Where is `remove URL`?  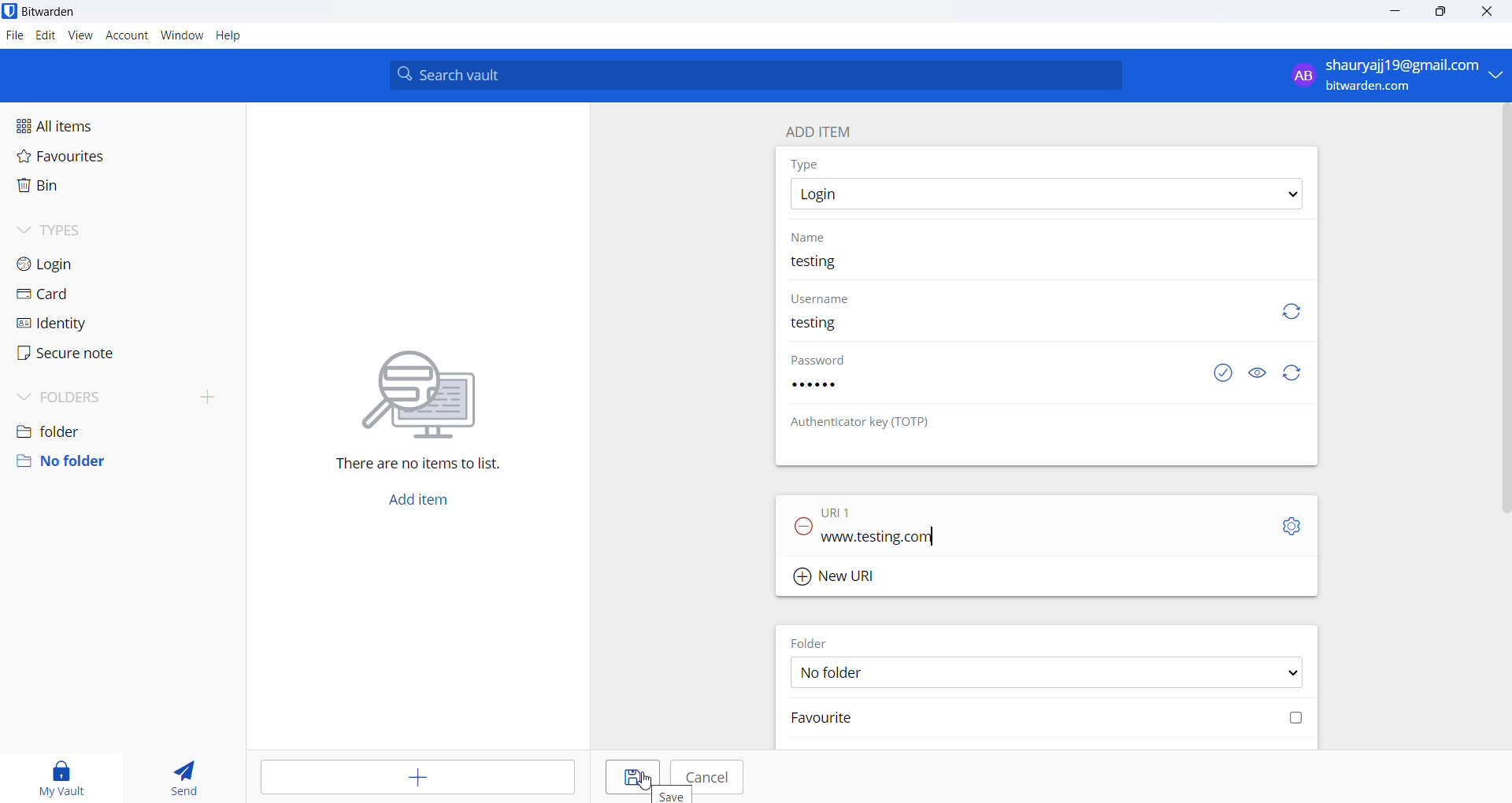
remove URL is located at coordinates (804, 527).